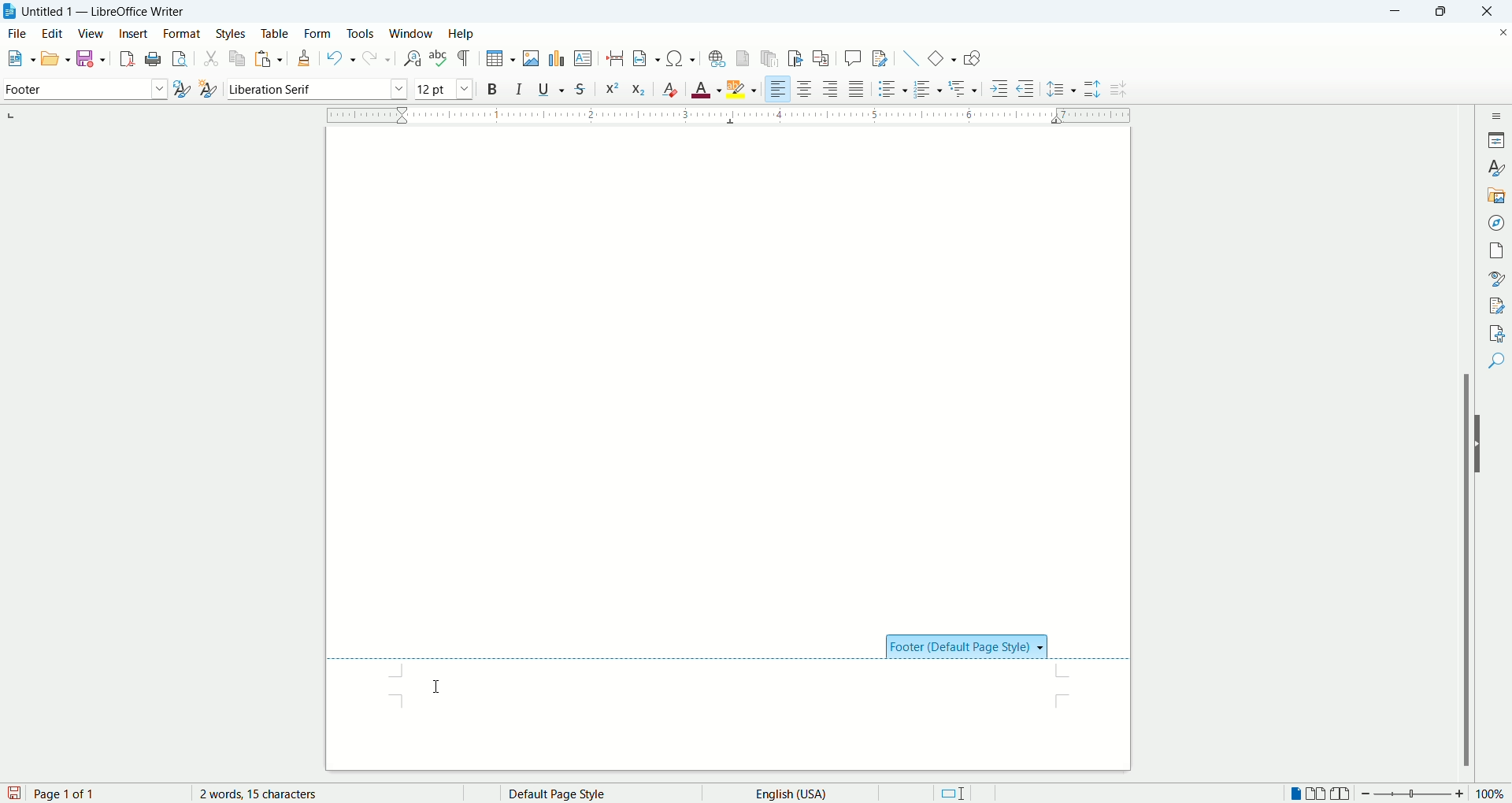  I want to click on styles, so click(233, 33).